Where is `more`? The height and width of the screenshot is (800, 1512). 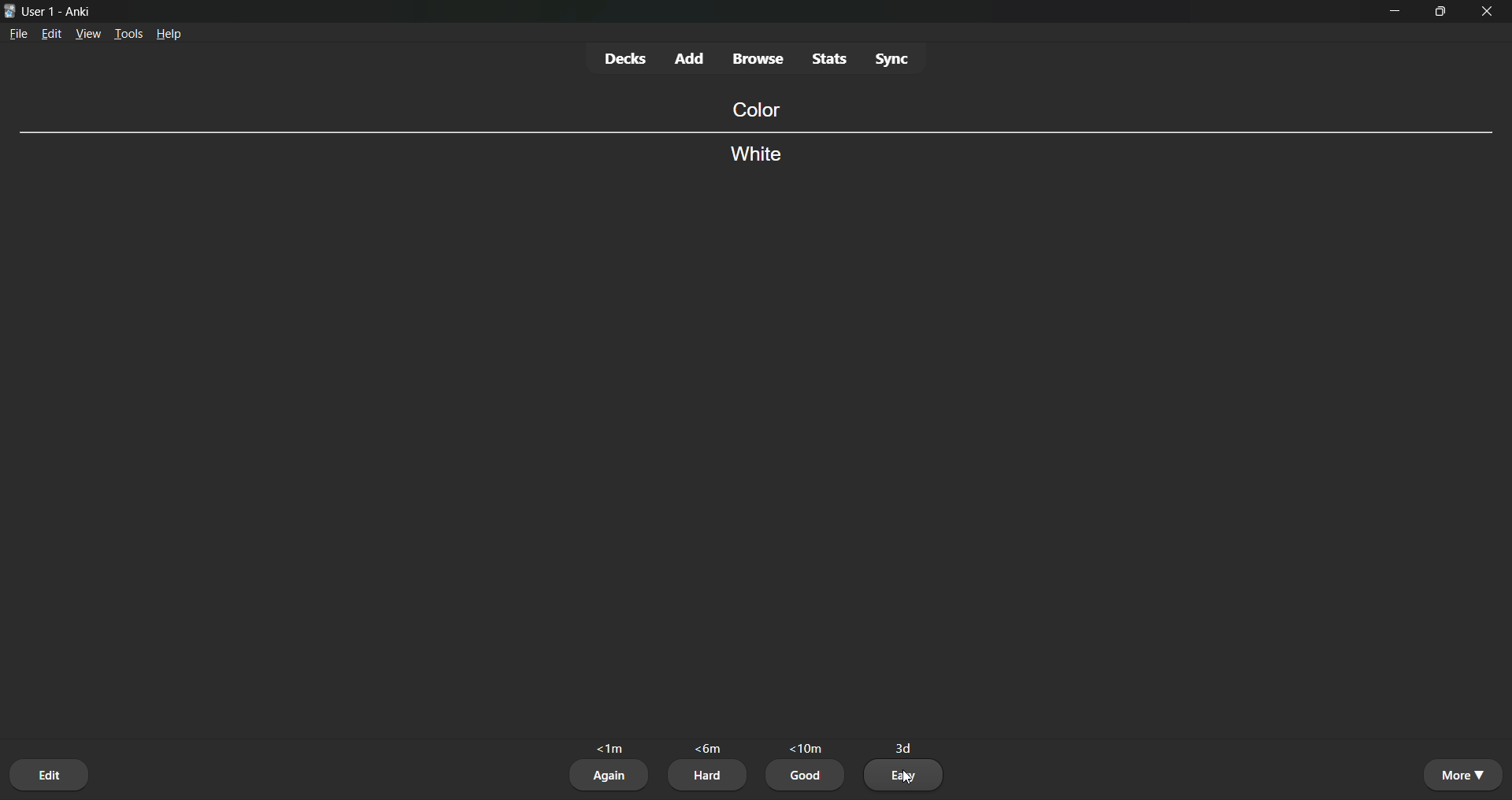
more is located at coordinates (1462, 774).